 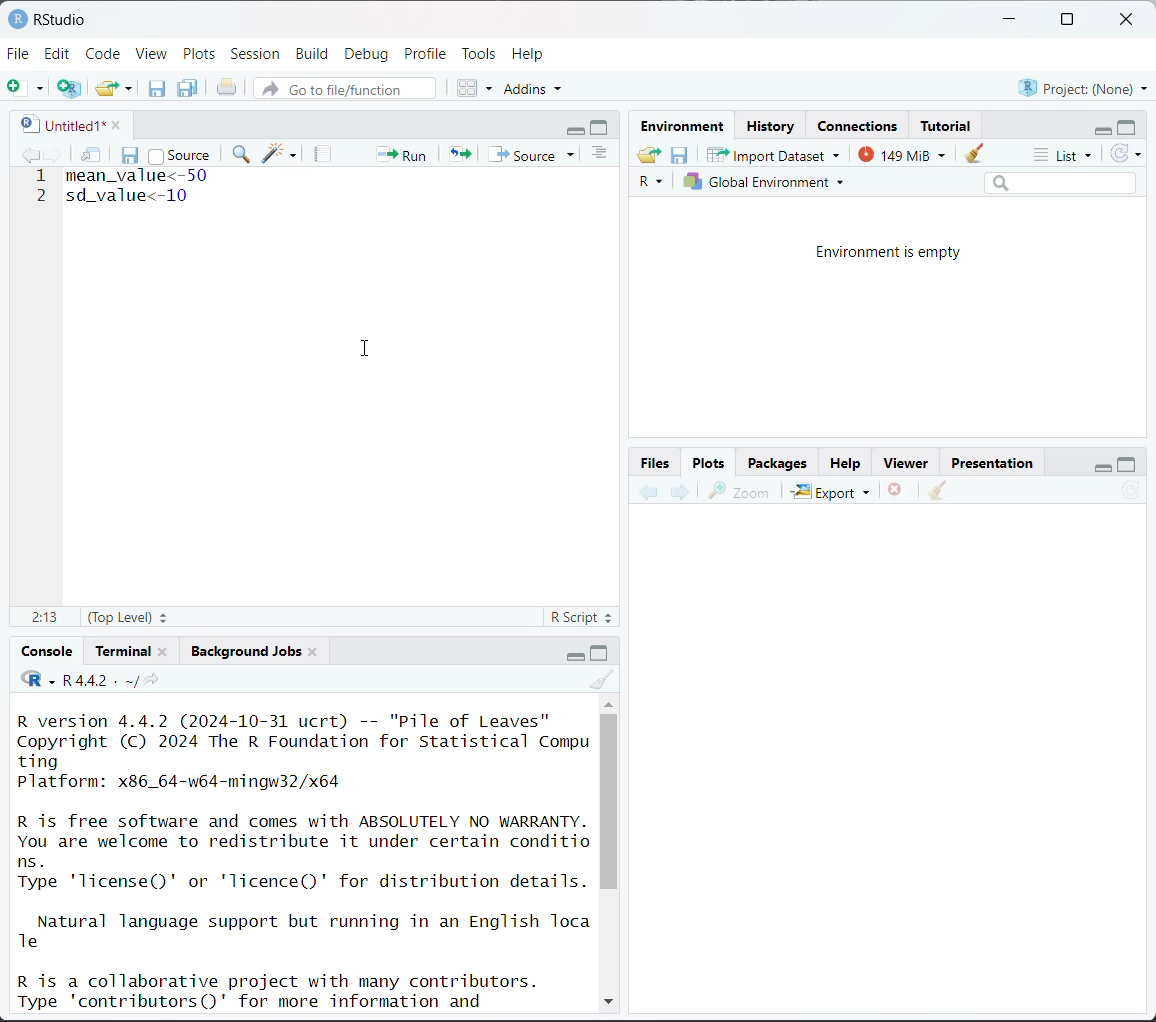 I want to click on view the current working directory, so click(x=151, y=680).